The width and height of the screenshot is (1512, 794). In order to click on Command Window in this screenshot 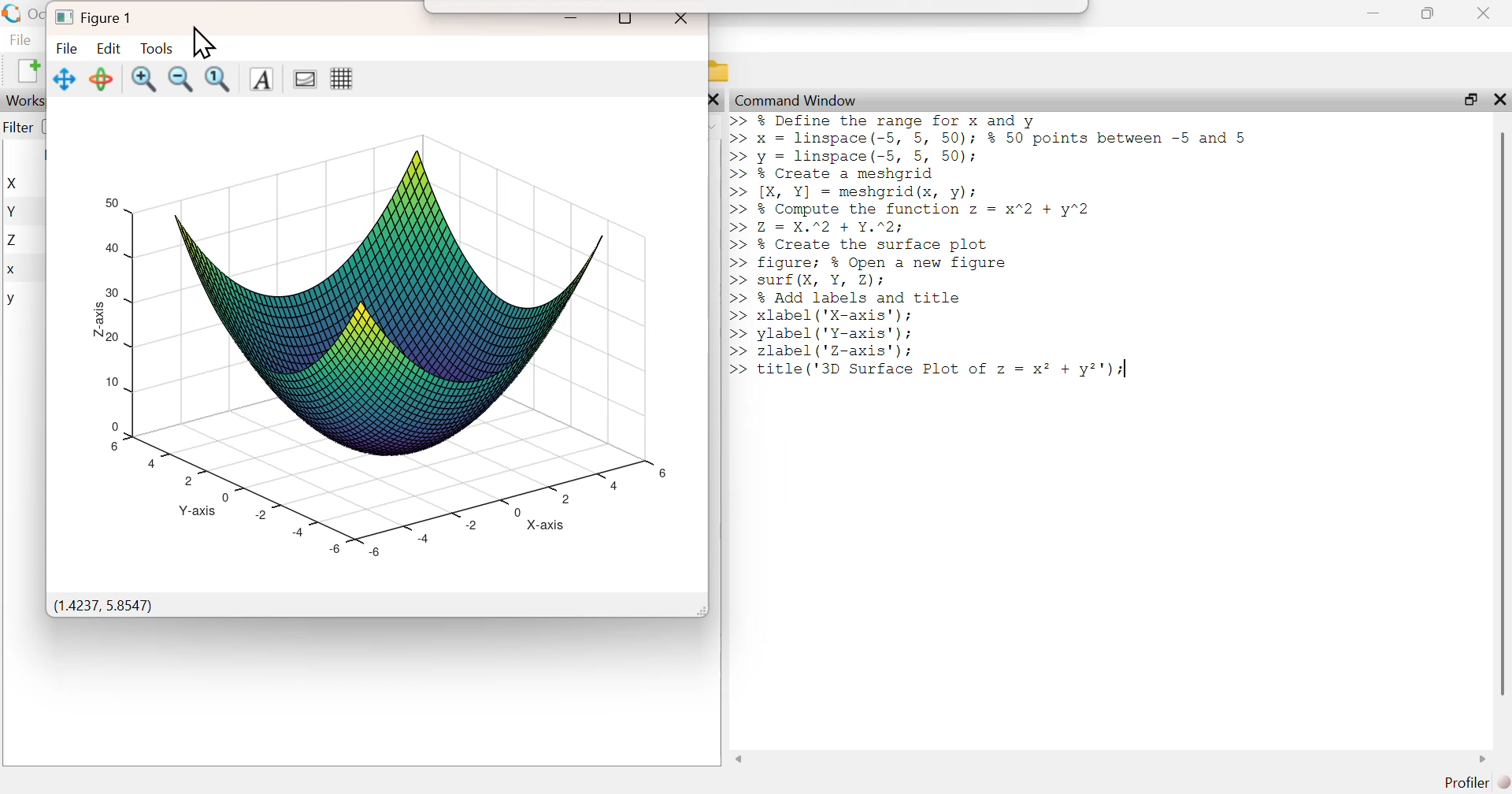, I will do `click(798, 100)`.